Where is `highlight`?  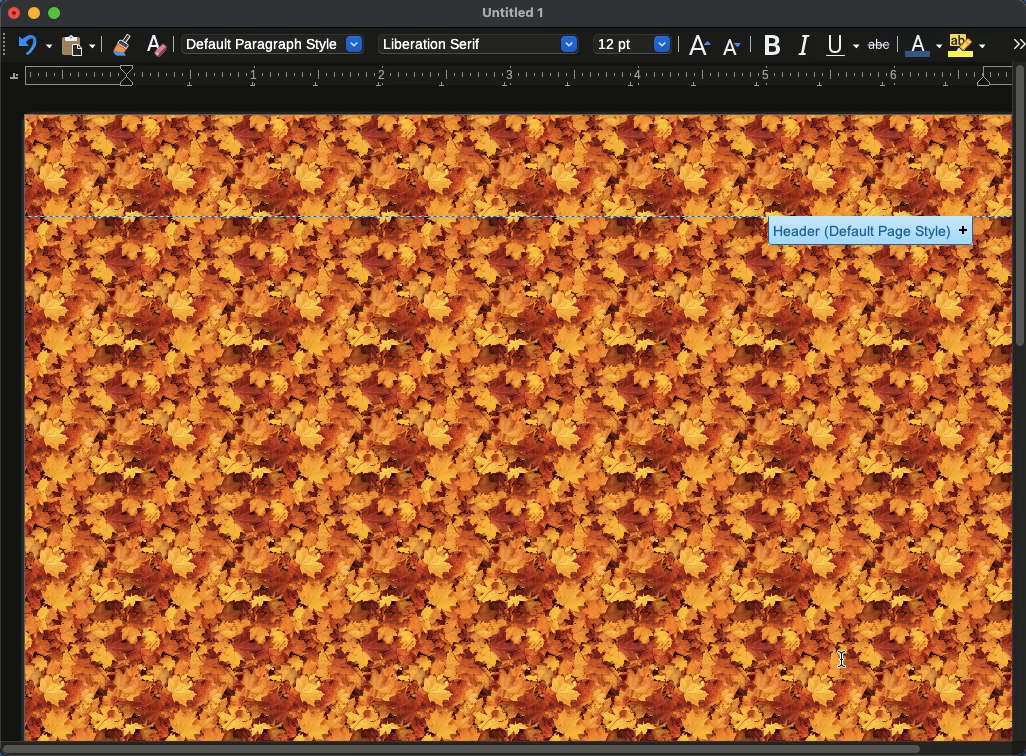 highlight is located at coordinates (966, 45).